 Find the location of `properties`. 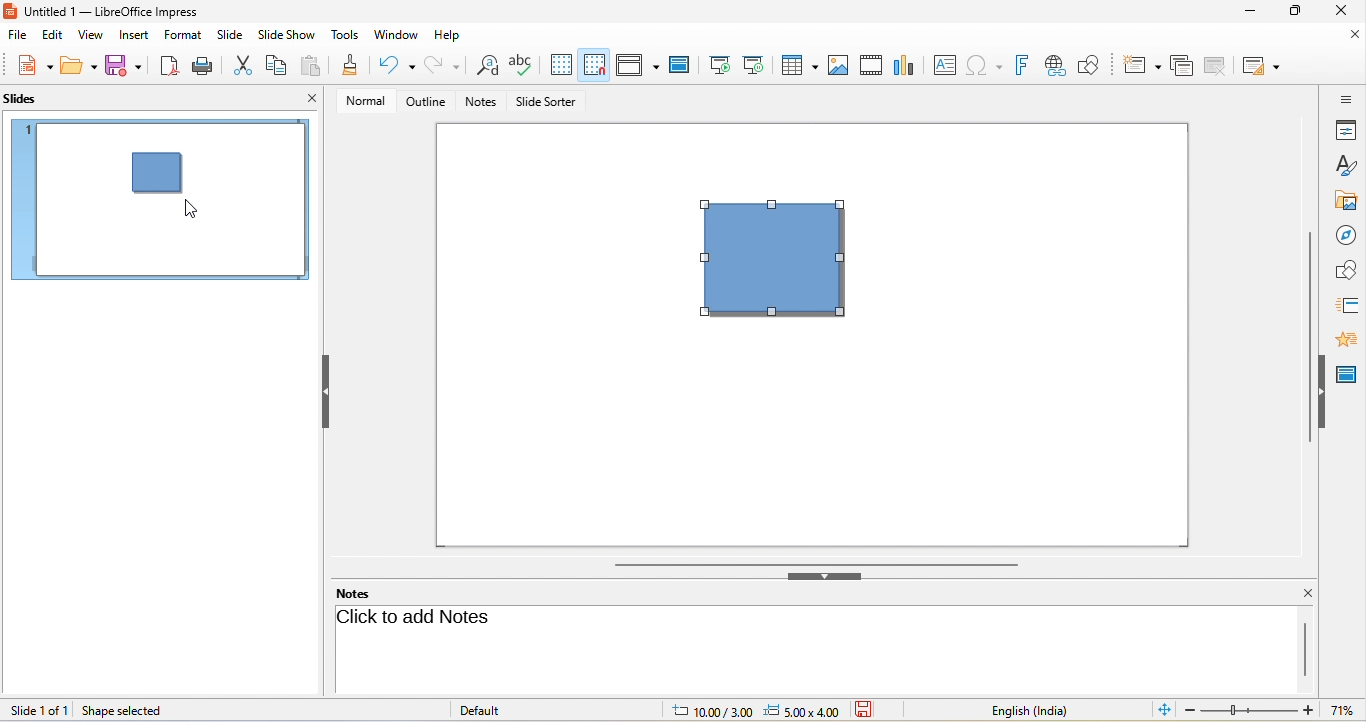

properties is located at coordinates (1345, 130).